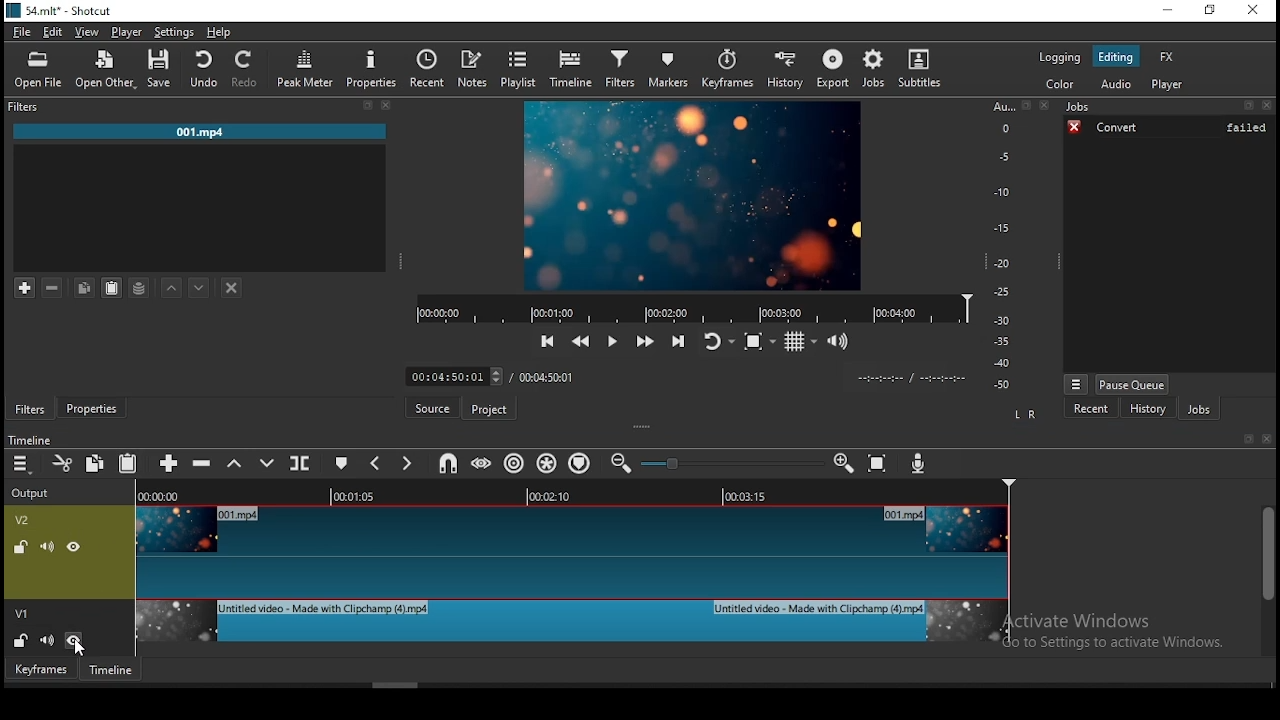 This screenshot has width=1280, height=720. What do you see at coordinates (693, 195) in the screenshot?
I see `video` at bounding box center [693, 195].